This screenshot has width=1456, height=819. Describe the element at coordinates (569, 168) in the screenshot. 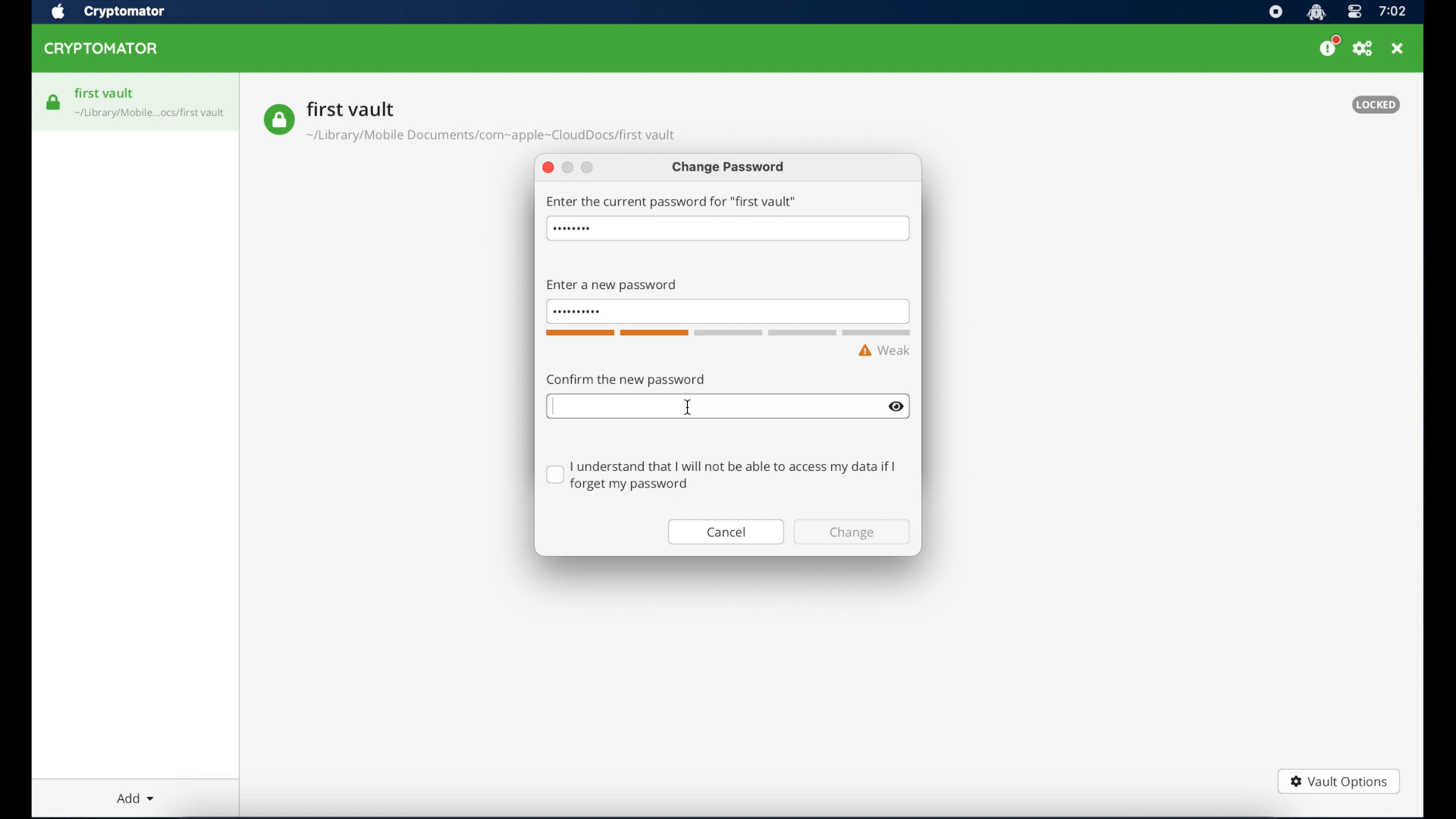

I see `minimize` at that location.